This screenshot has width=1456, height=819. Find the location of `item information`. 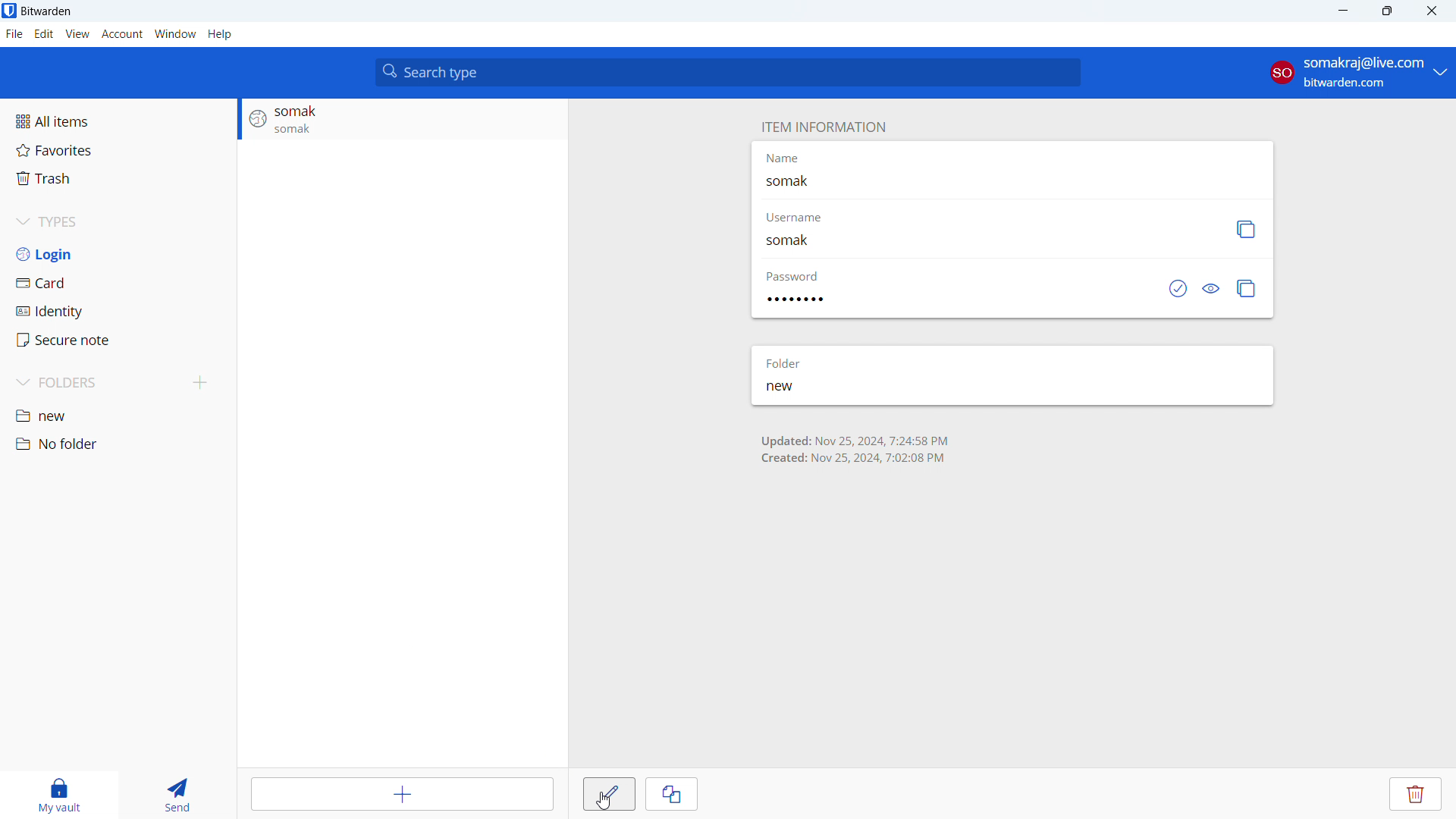

item information is located at coordinates (821, 126).